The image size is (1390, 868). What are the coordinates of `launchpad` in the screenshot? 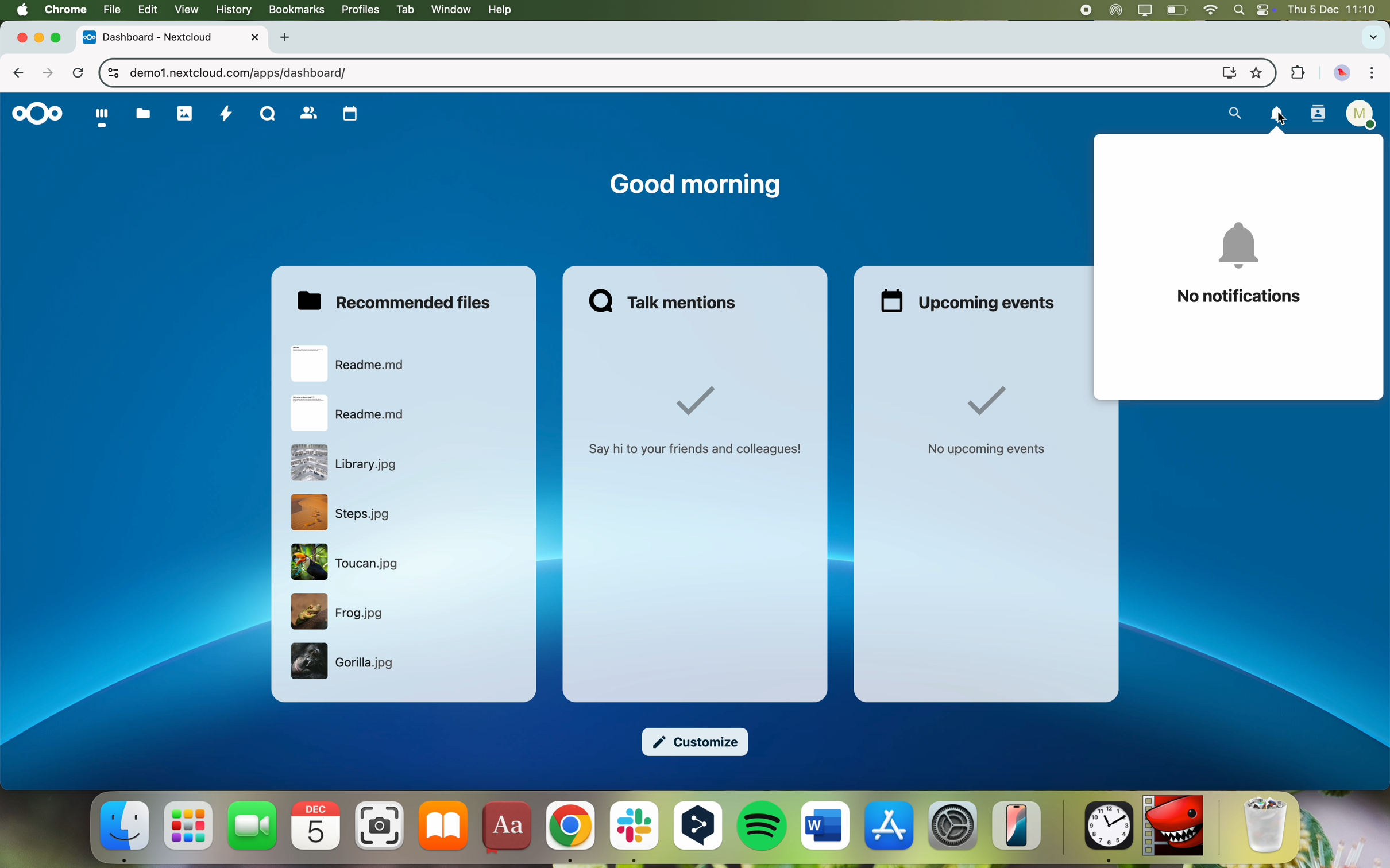 It's located at (188, 827).